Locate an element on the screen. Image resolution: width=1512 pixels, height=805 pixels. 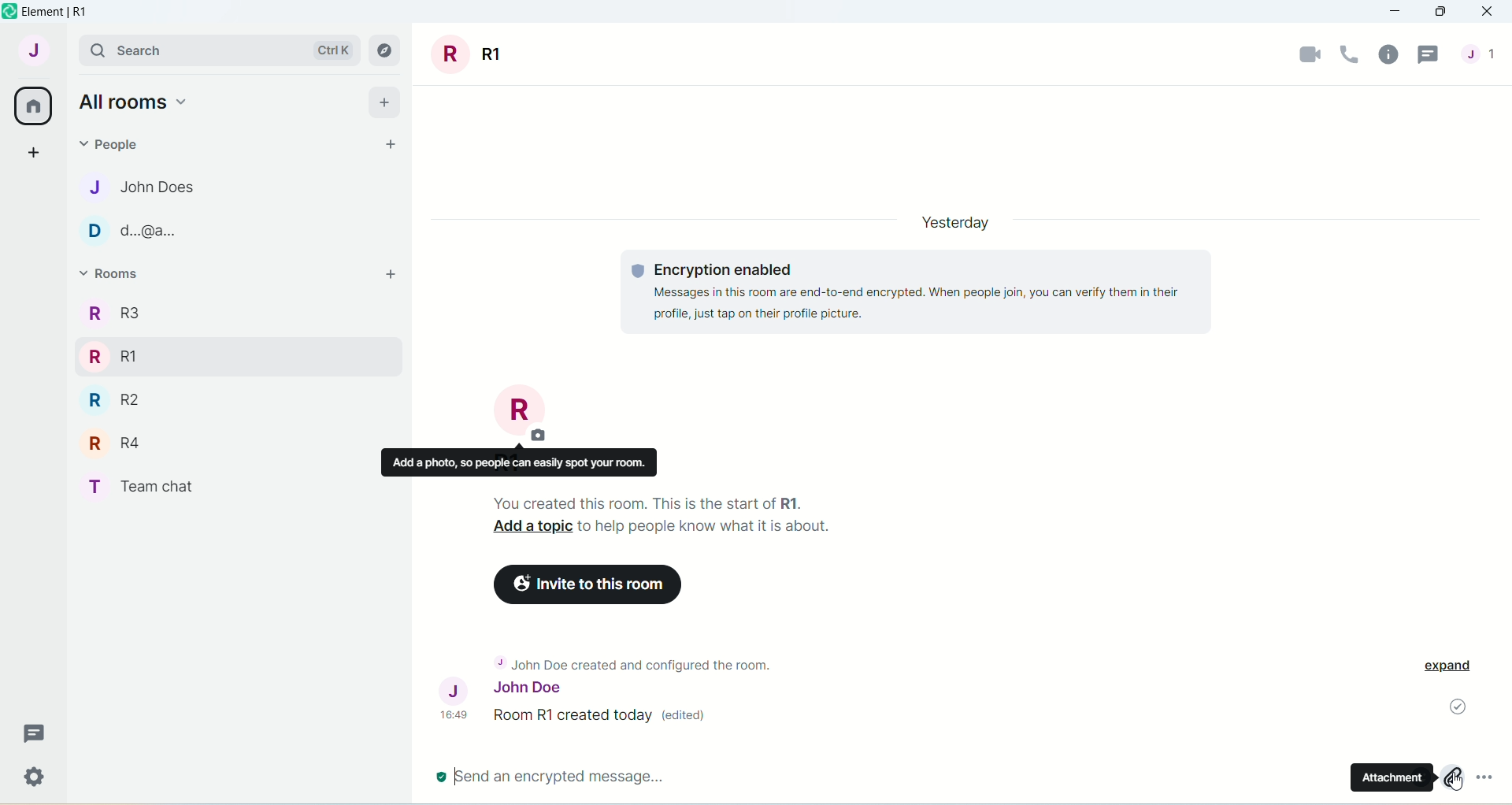
all rooms is located at coordinates (34, 107).